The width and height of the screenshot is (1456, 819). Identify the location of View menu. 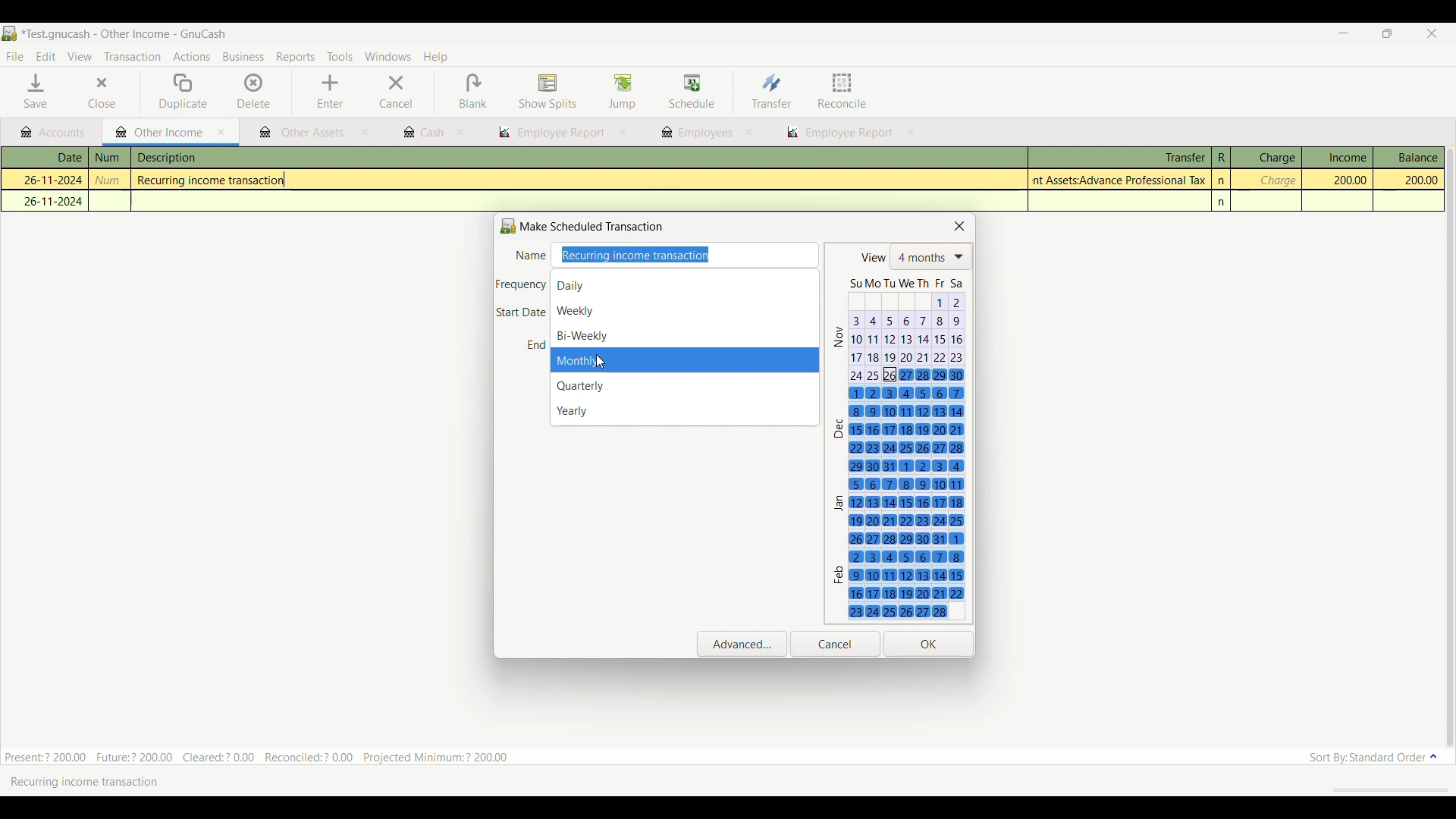
(79, 57).